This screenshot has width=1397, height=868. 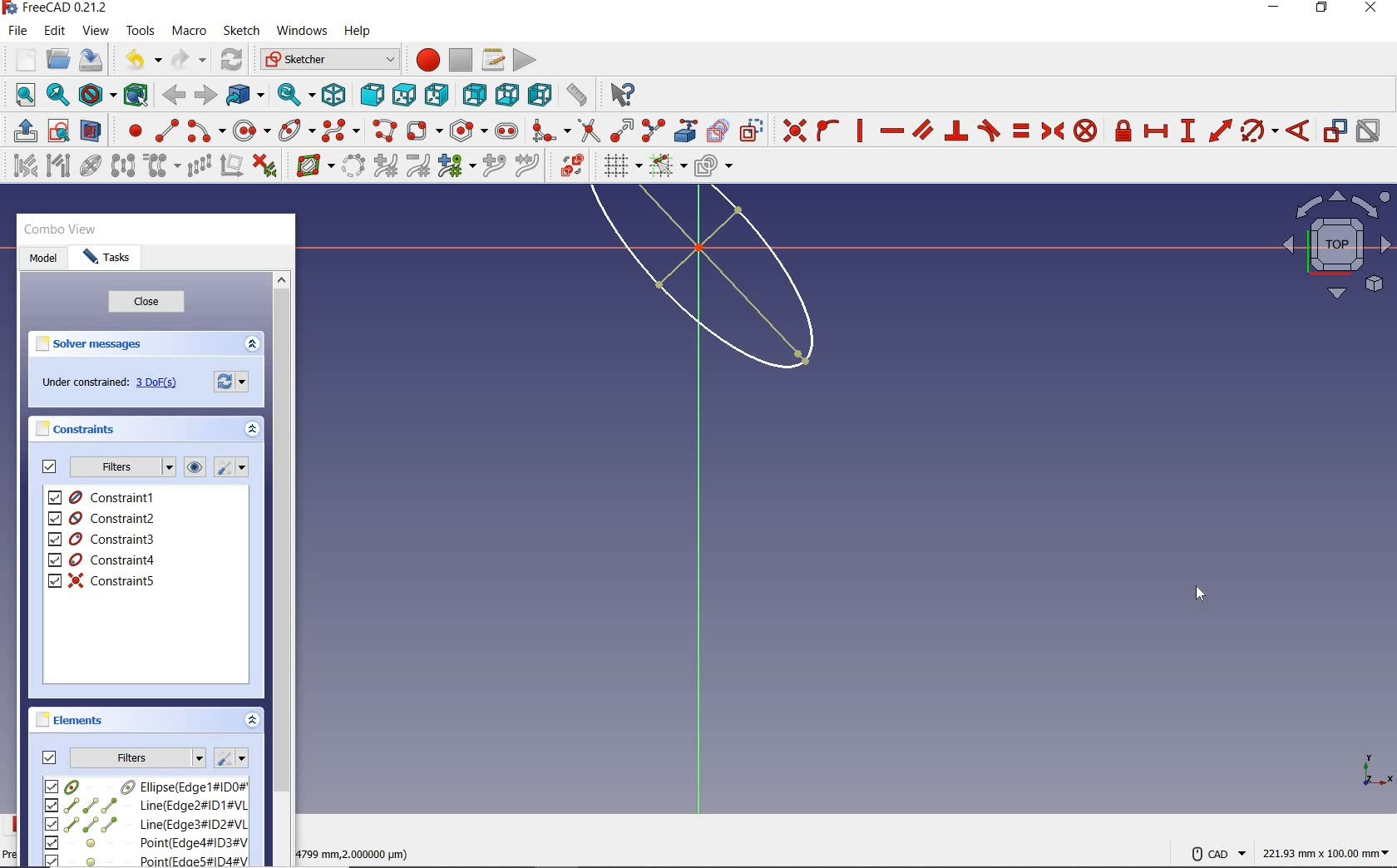 I want to click on xyz, so click(x=1374, y=768).